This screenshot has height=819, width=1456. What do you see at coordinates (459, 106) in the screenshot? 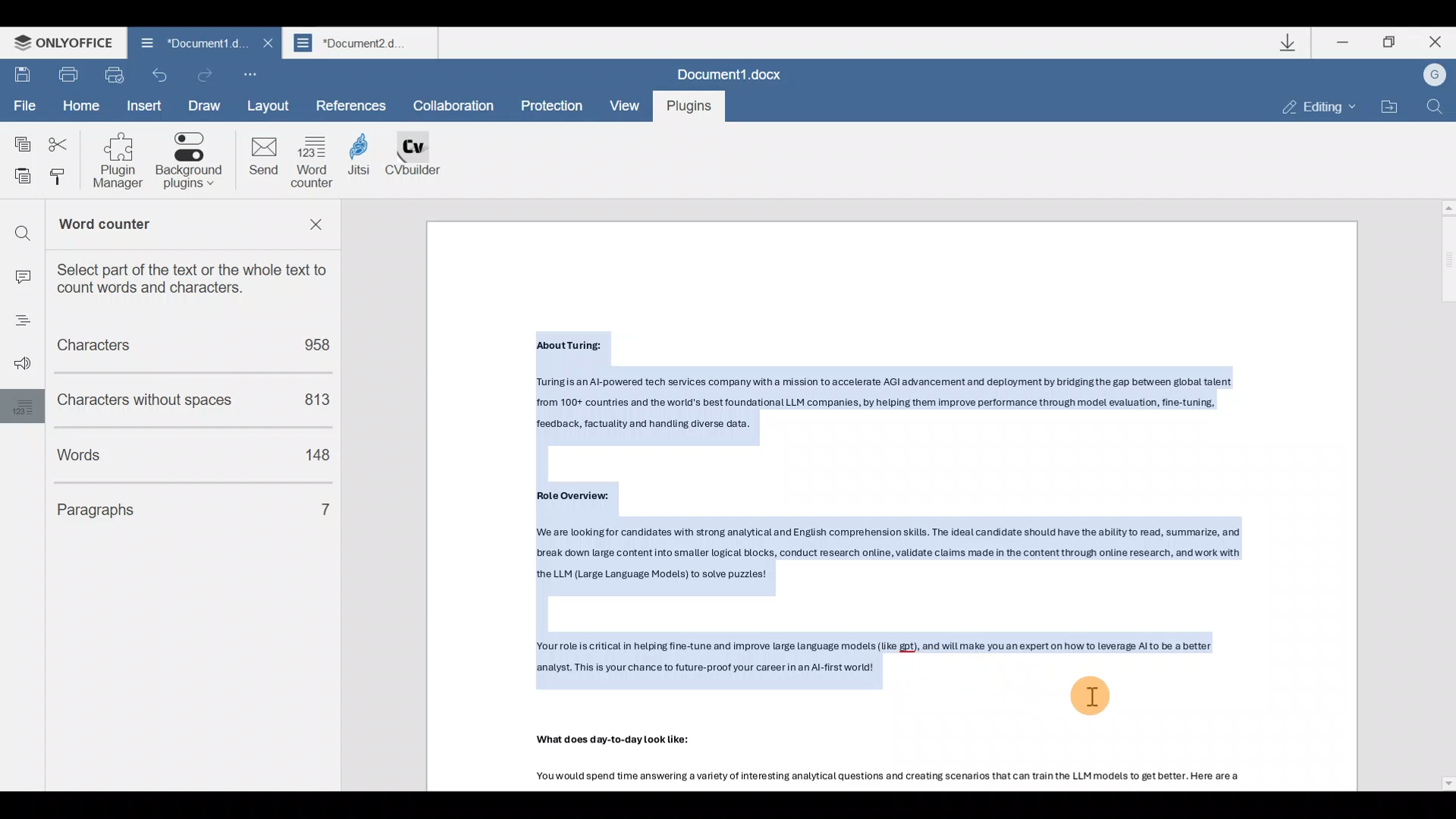
I see `Collaboration` at bounding box center [459, 106].